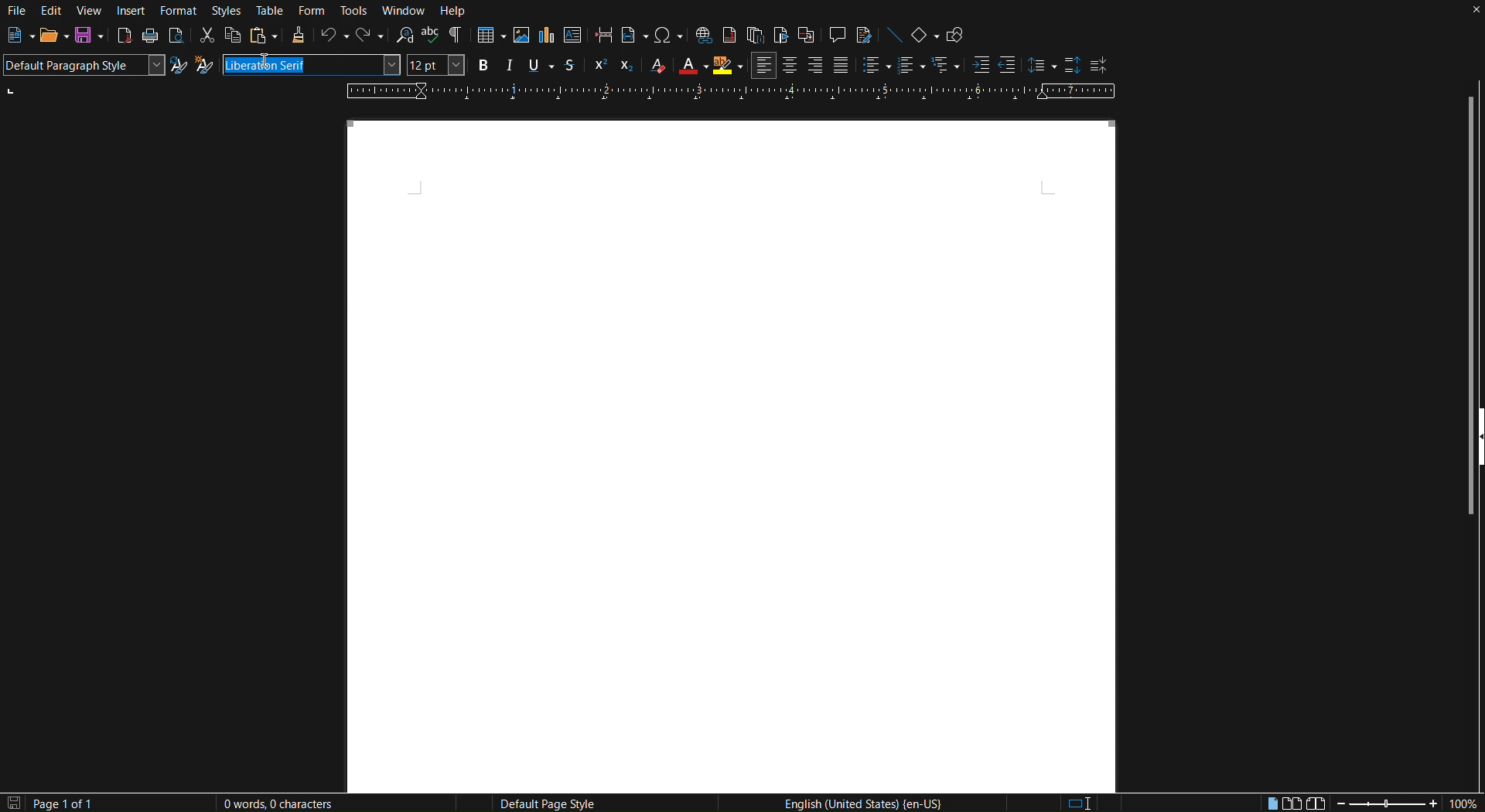  I want to click on Clone Formatting, so click(297, 38).